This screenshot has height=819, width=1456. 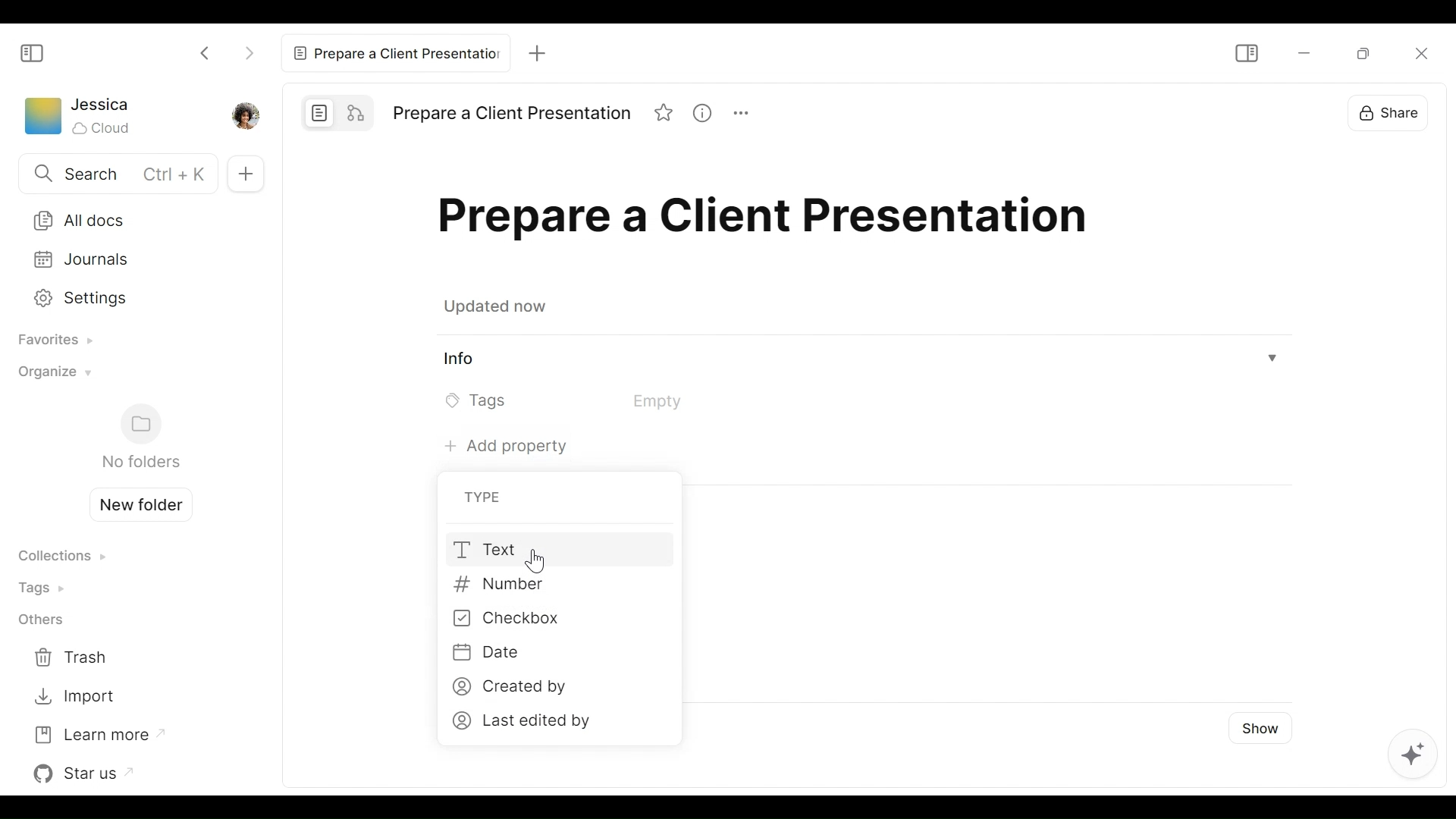 I want to click on Collections, so click(x=61, y=557).